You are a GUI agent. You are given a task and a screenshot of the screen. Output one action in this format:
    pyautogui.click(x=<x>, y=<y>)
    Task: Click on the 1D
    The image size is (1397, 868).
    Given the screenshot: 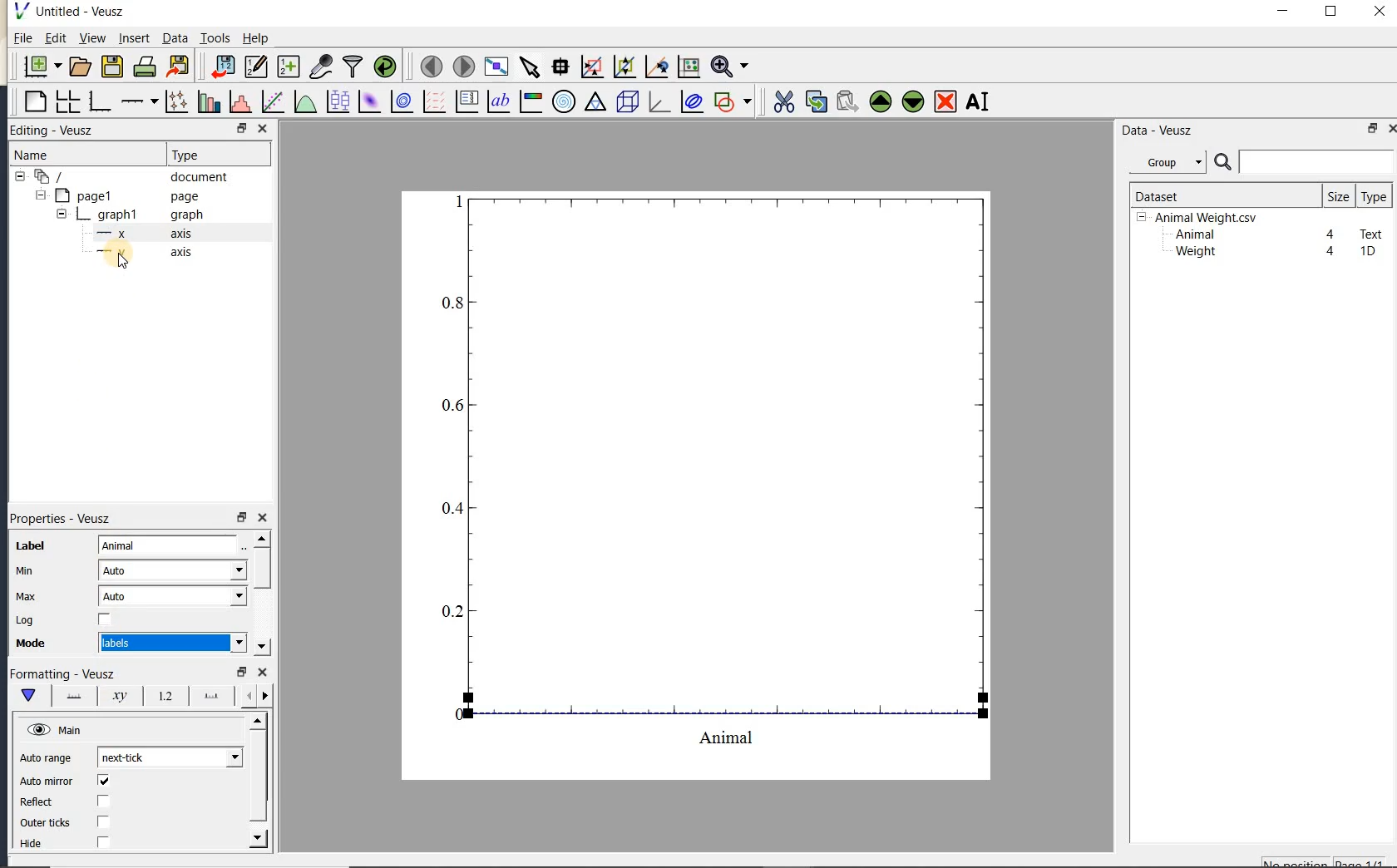 What is the action you would take?
    pyautogui.click(x=1367, y=251)
    